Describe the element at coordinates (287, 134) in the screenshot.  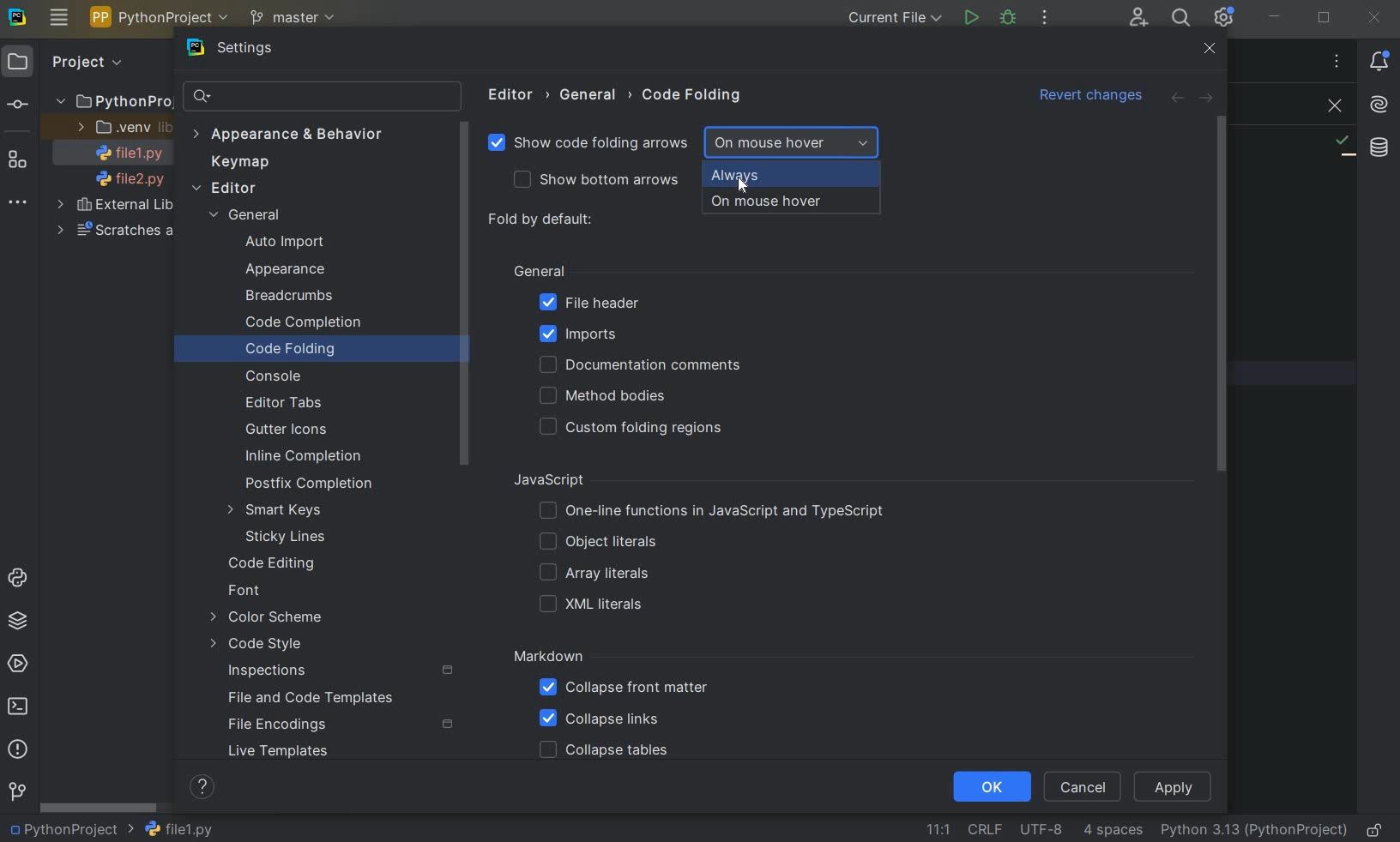
I see `APPEARANCE & BEHAVIOR` at that location.